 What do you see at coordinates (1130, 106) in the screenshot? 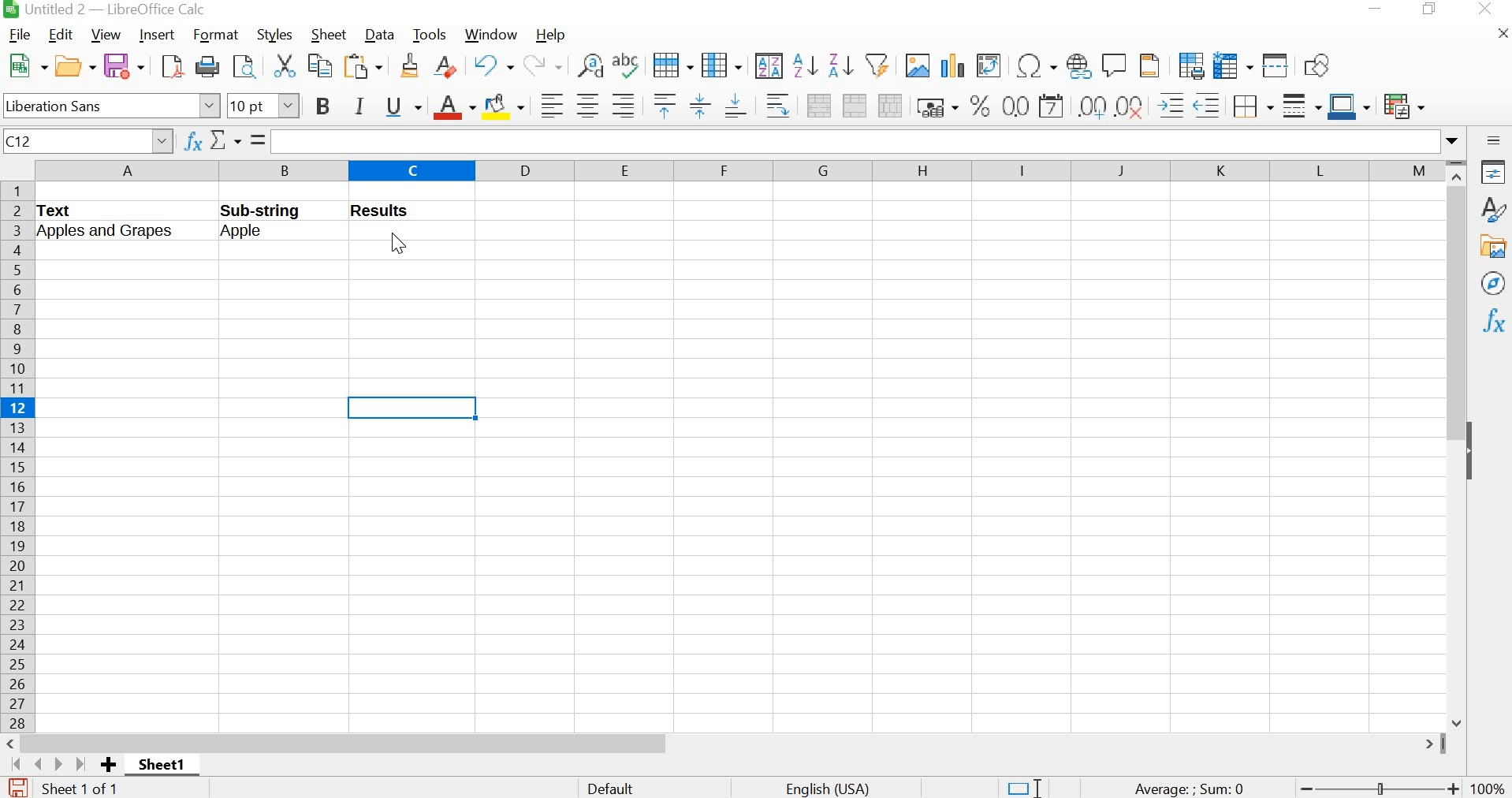
I see `delete decimal place` at bounding box center [1130, 106].